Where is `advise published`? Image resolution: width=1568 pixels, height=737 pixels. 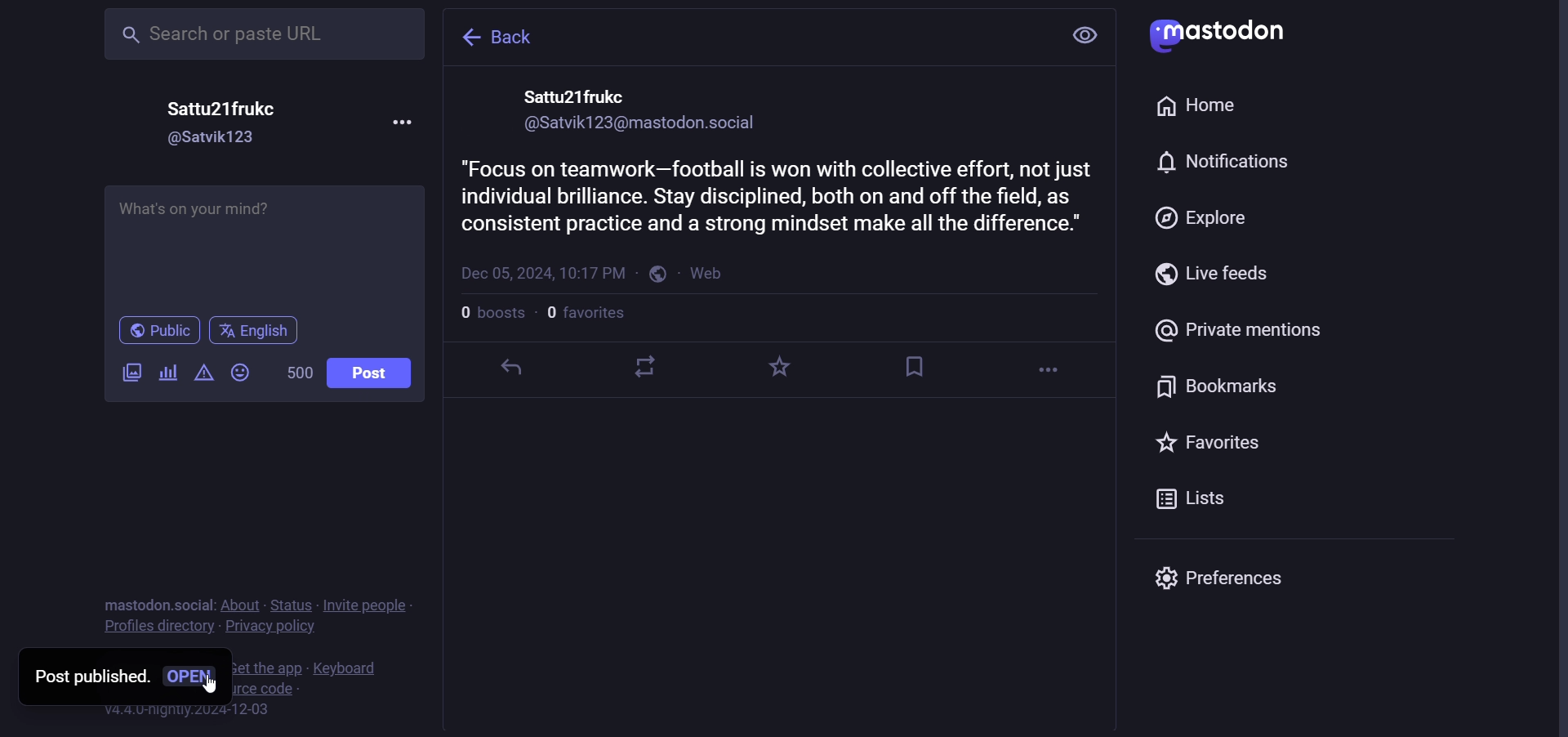 advise published is located at coordinates (783, 196).